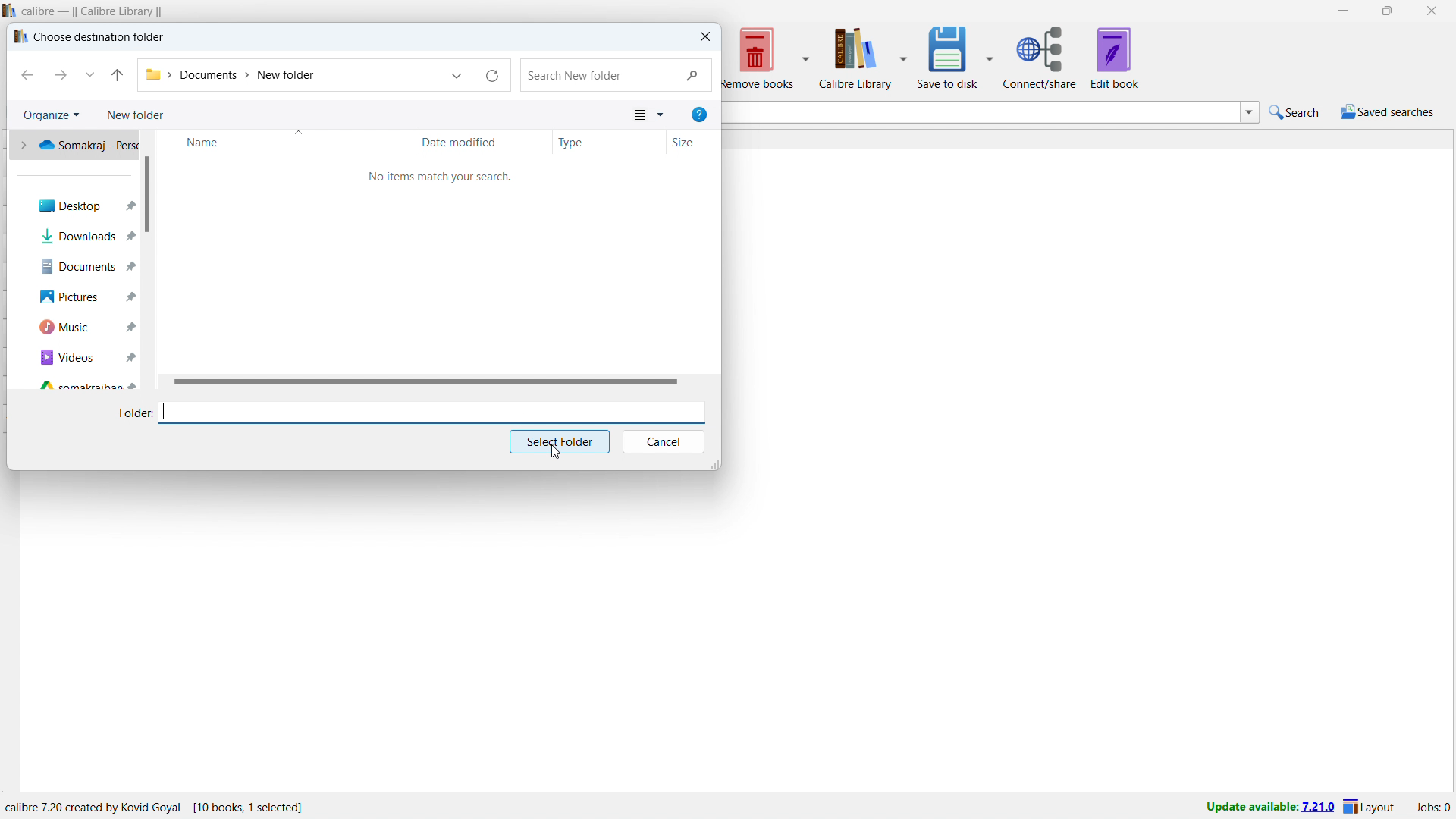 This screenshot has width=1456, height=819. Describe the element at coordinates (457, 74) in the screenshot. I see `location history` at that location.